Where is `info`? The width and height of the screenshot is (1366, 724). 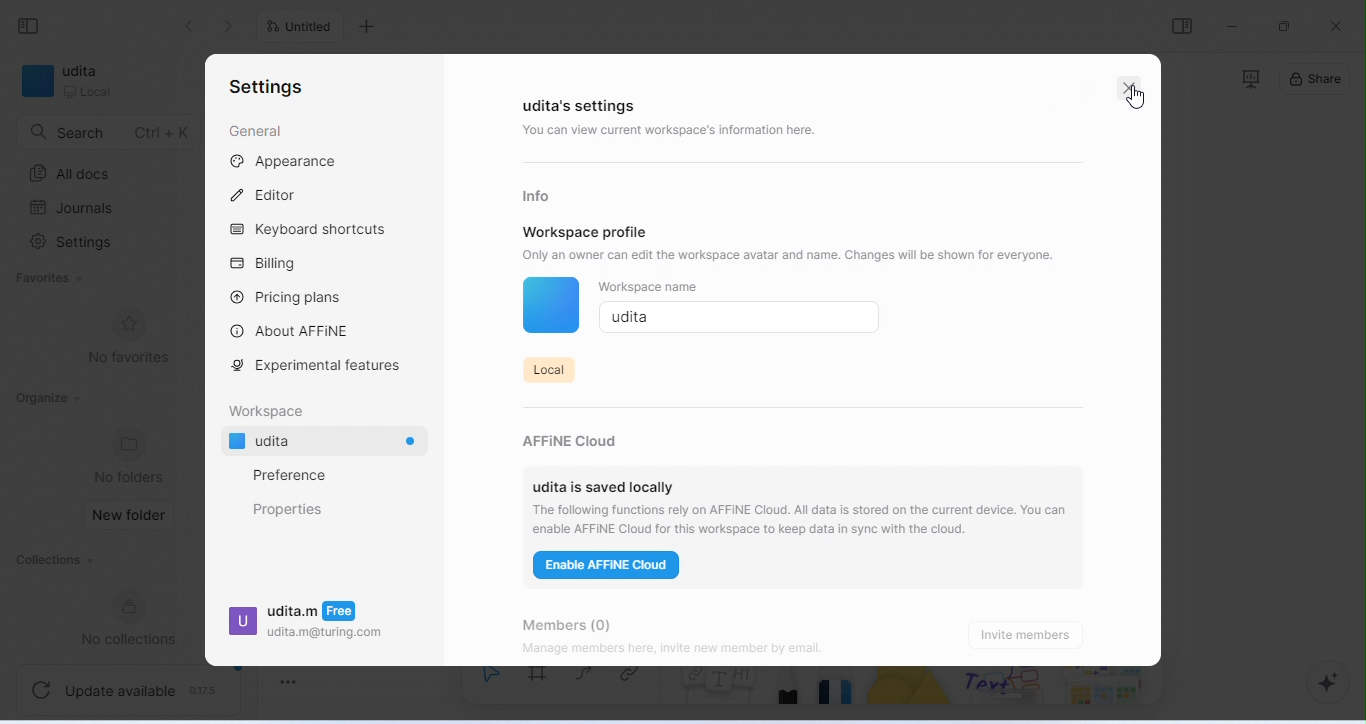 info is located at coordinates (540, 195).